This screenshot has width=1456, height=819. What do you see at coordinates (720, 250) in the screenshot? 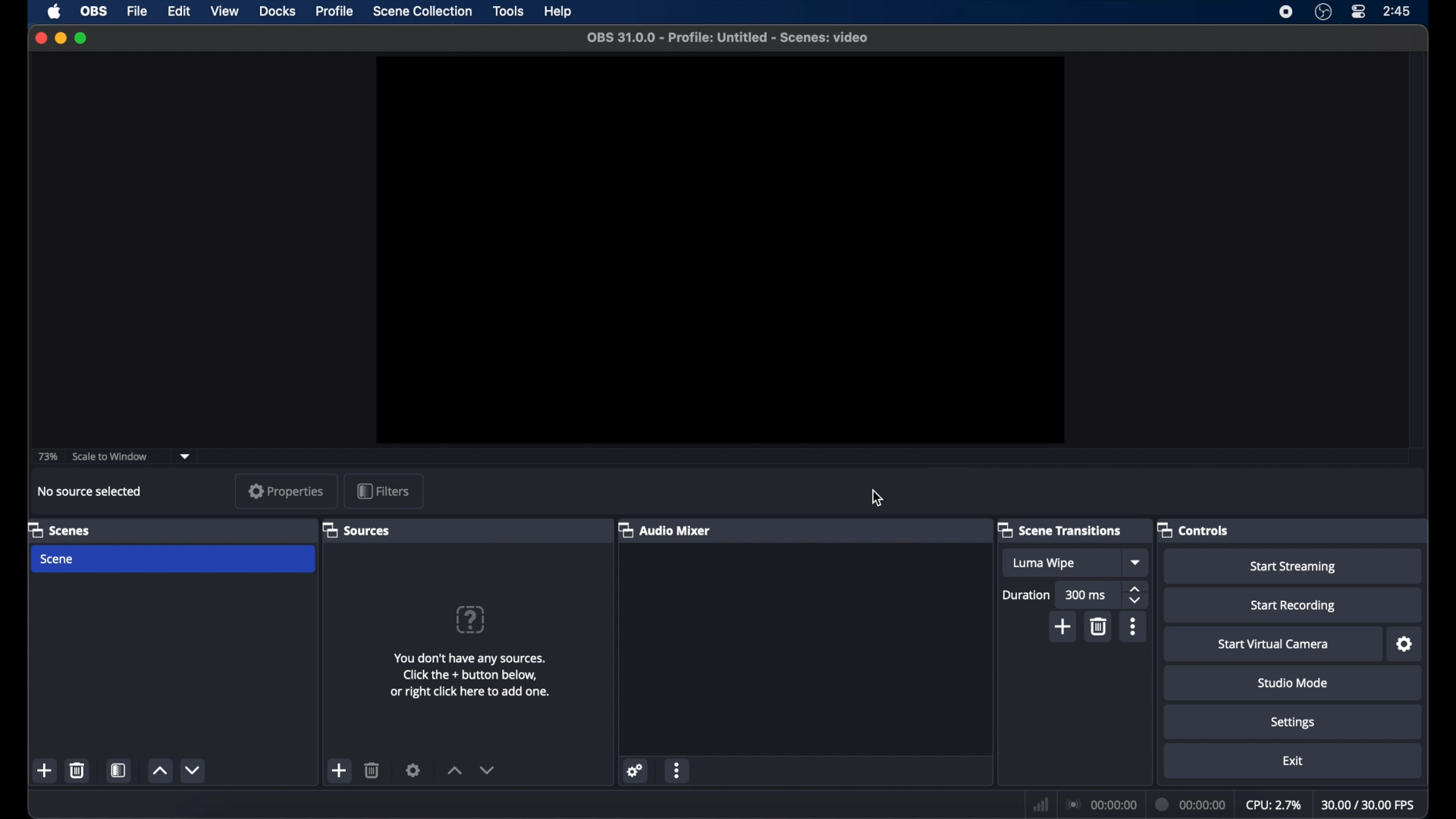
I see `preview` at bounding box center [720, 250].